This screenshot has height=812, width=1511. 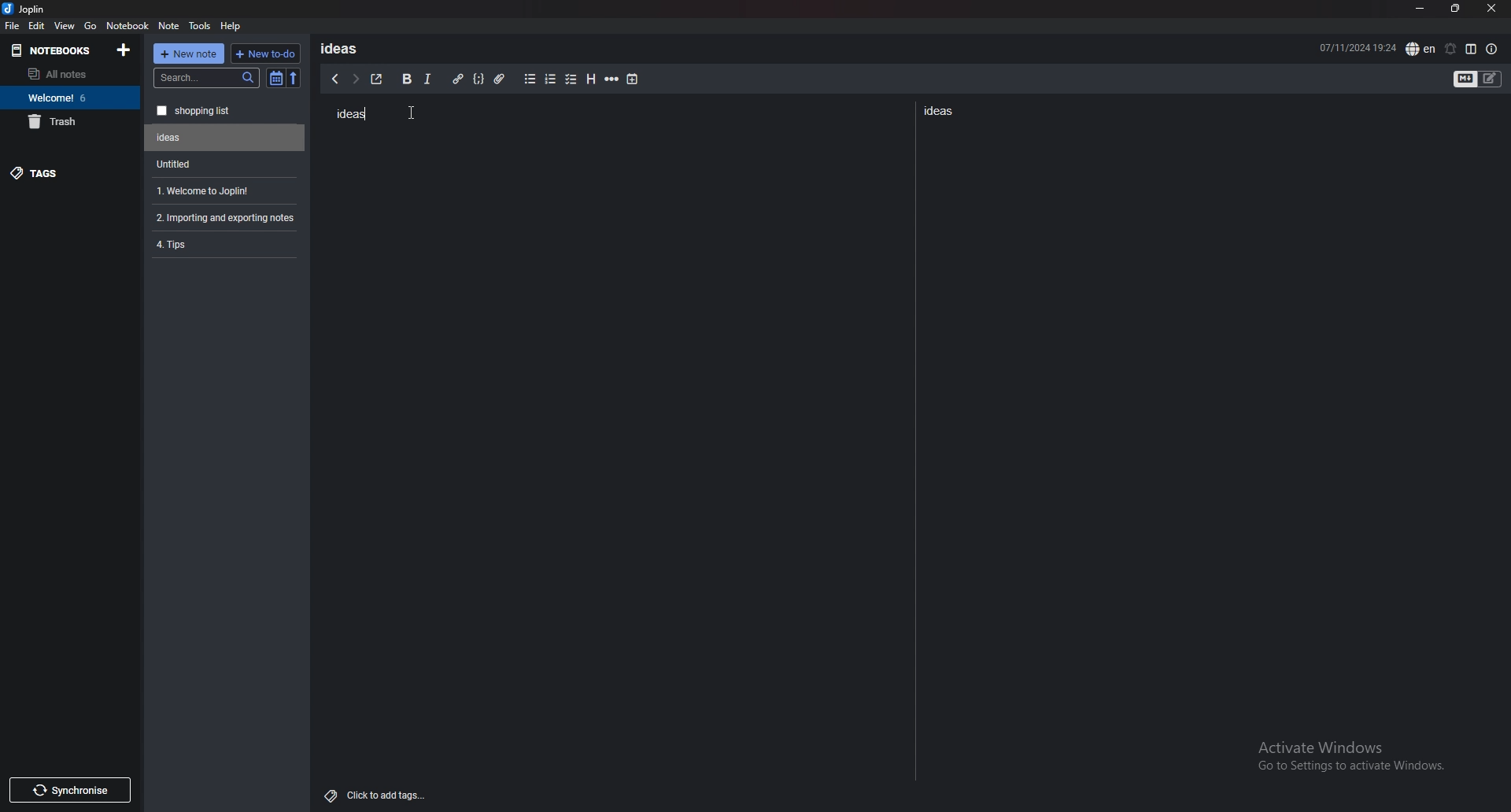 I want to click on trash, so click(x=70, y=121).